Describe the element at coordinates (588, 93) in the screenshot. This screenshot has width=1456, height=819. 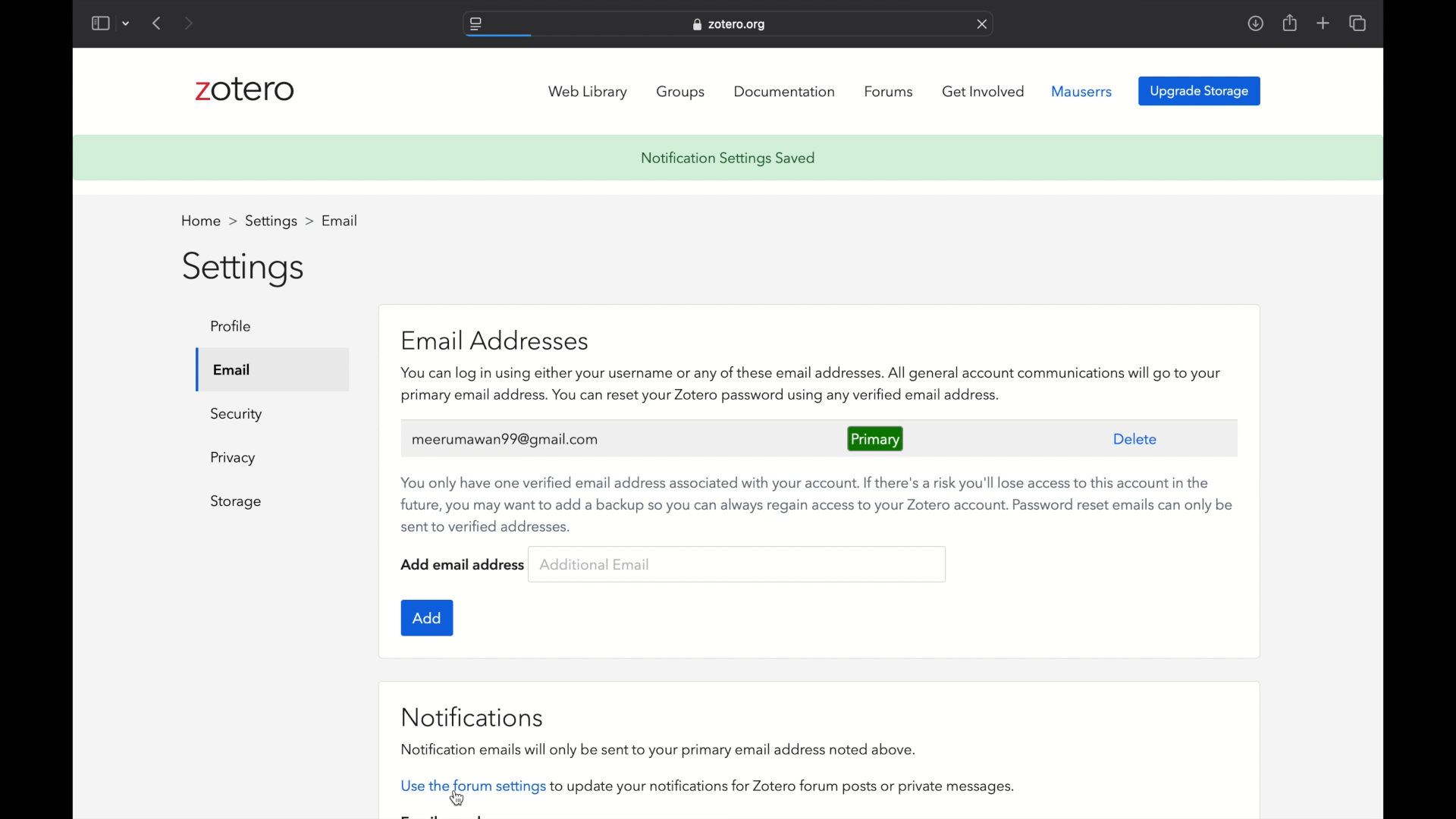
I see `web library` at that location.